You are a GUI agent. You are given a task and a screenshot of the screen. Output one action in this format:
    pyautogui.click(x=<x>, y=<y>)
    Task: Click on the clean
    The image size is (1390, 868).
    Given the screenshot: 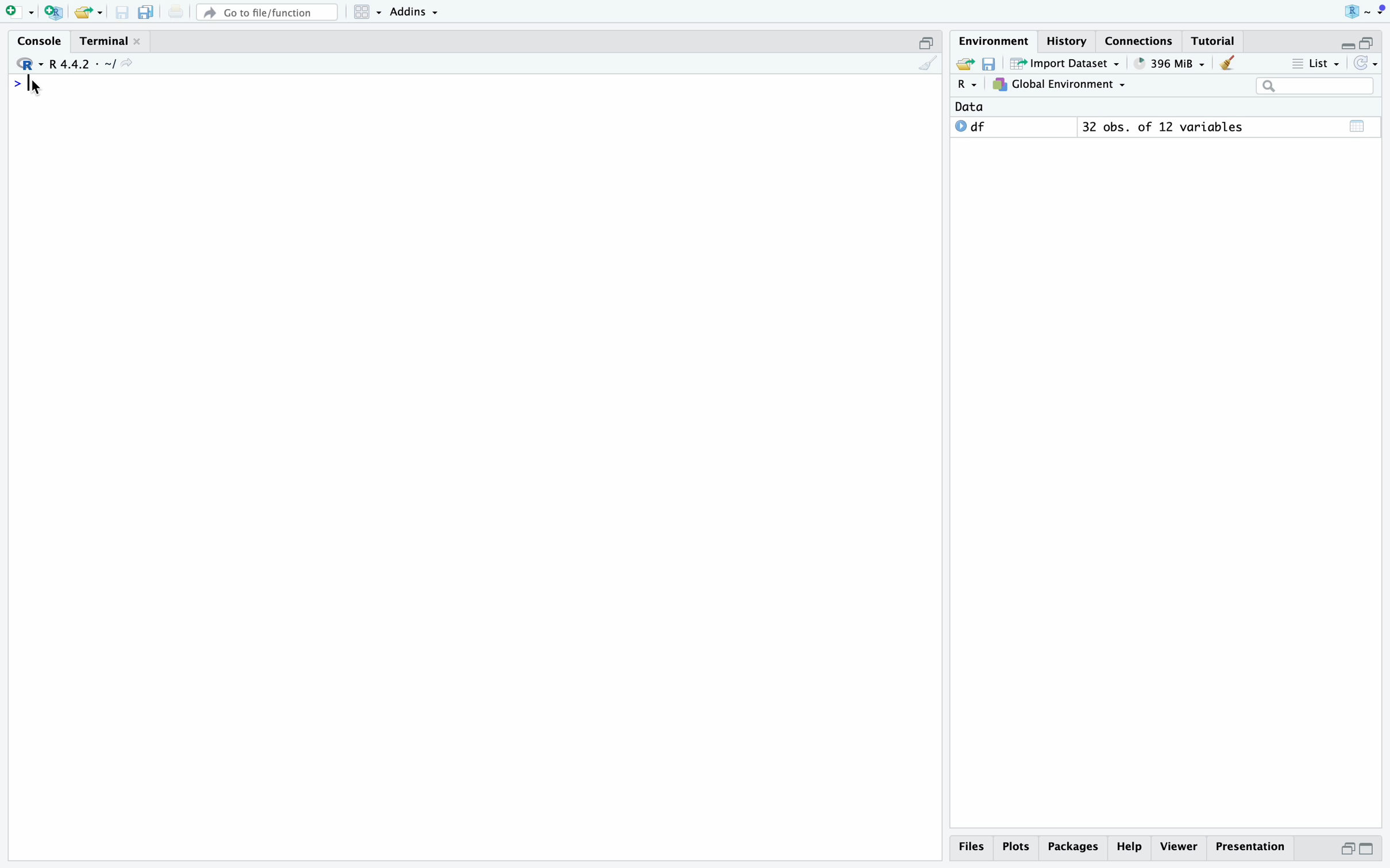 What is the action you would take?
    pyautogui.click(x=928, y=63)
    